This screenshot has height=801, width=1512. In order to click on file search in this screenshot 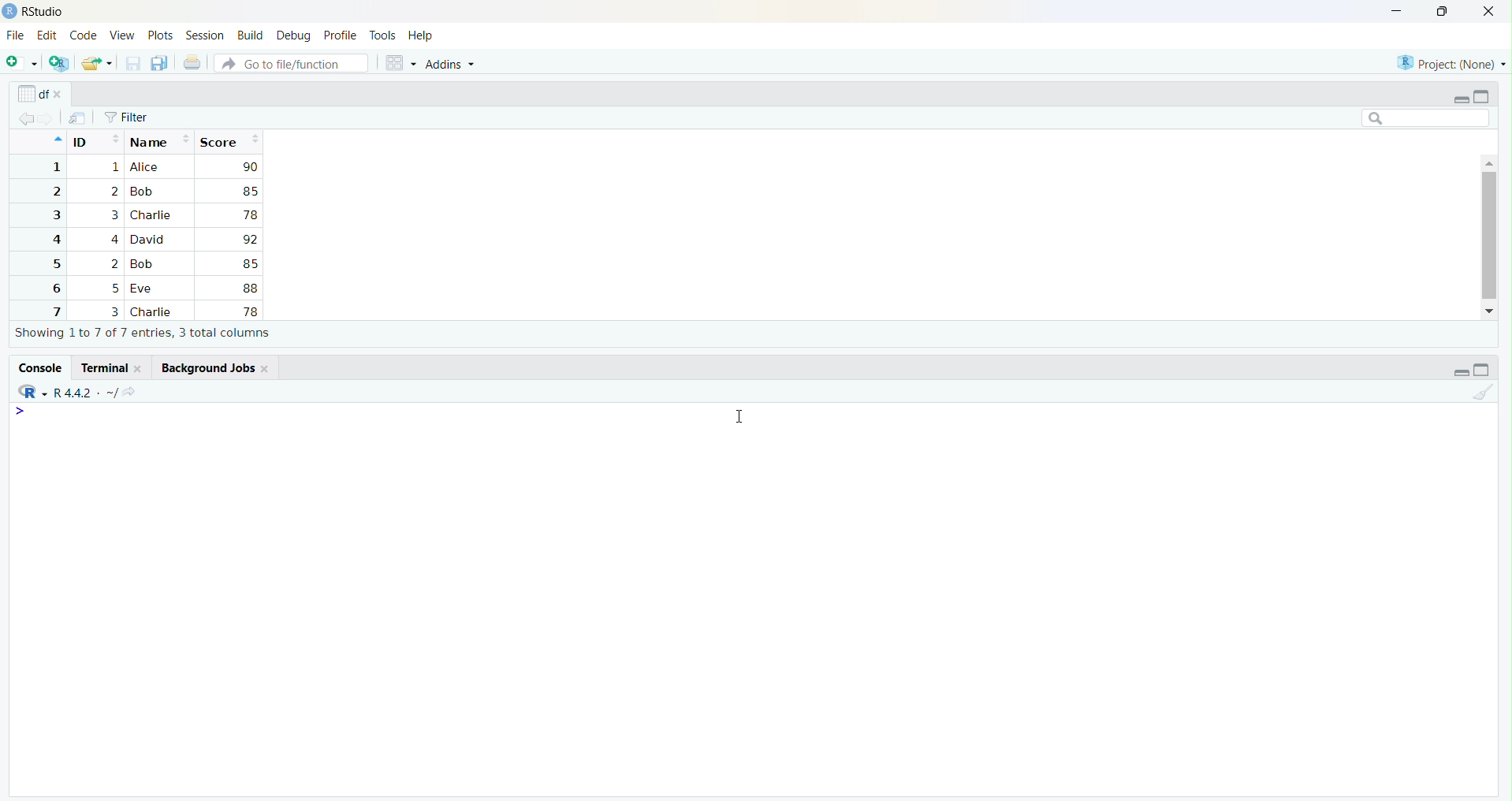, I will do `click(293, 62)`.